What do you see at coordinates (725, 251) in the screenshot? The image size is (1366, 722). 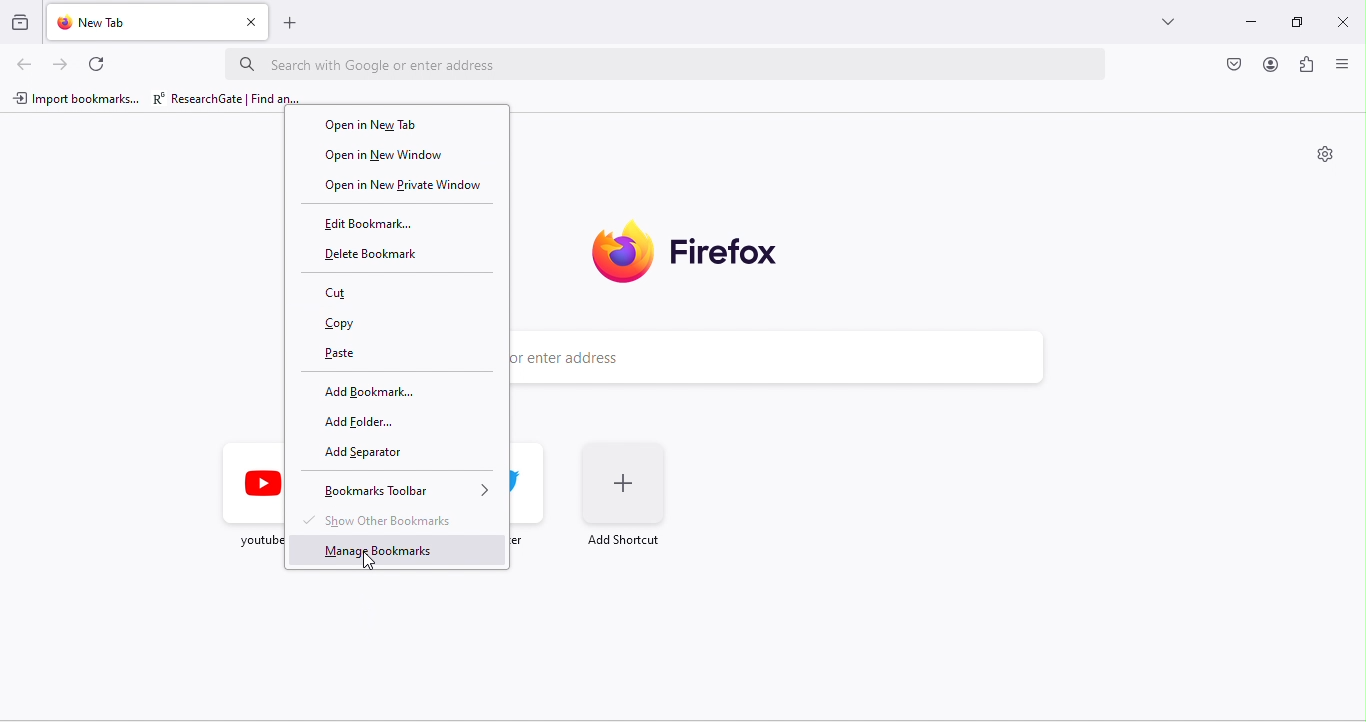 I see `Firefox` at bounding box center [725, 251].